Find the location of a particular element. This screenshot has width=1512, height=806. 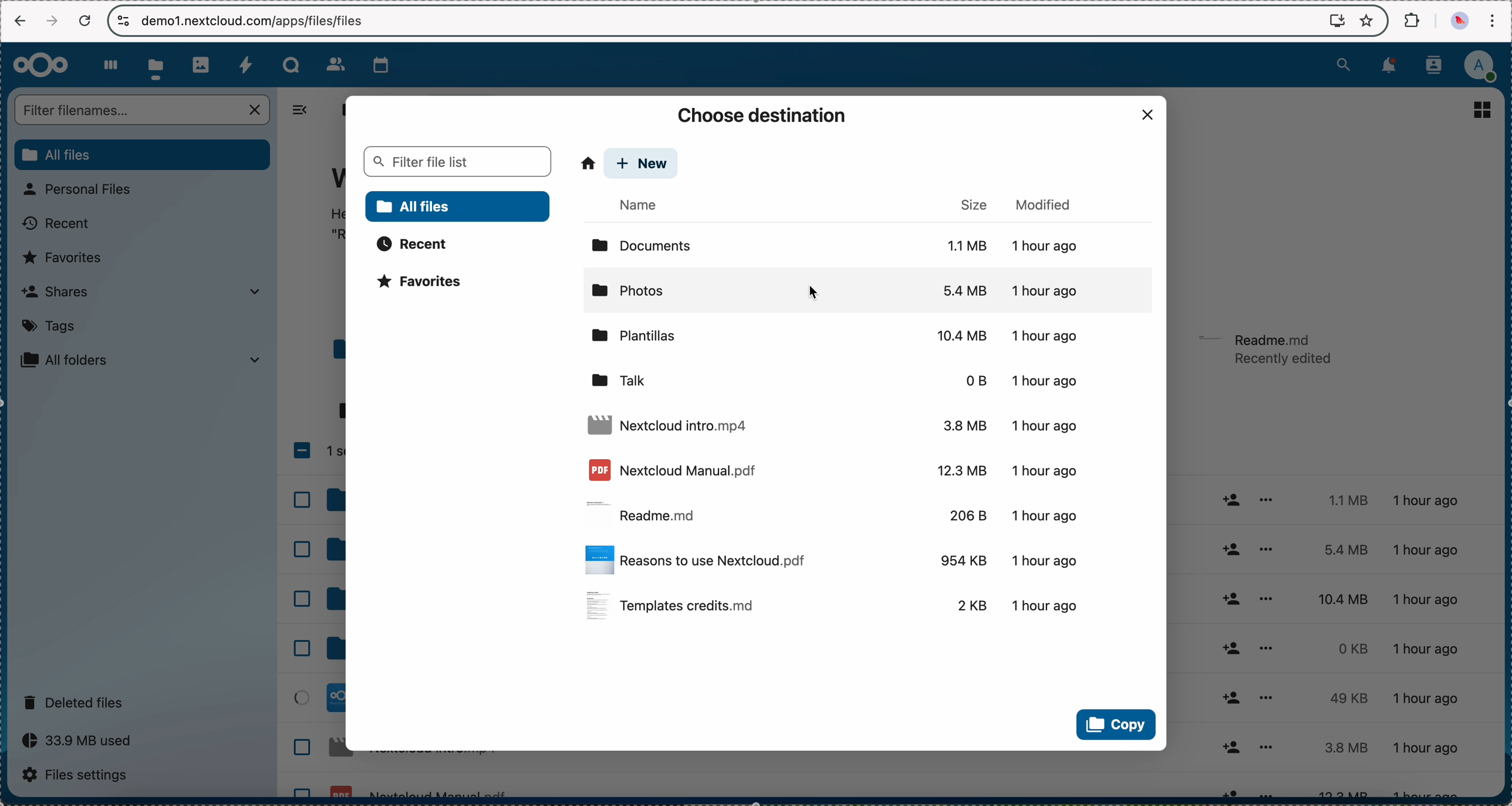

contacts is located at coordinates (328, 61).